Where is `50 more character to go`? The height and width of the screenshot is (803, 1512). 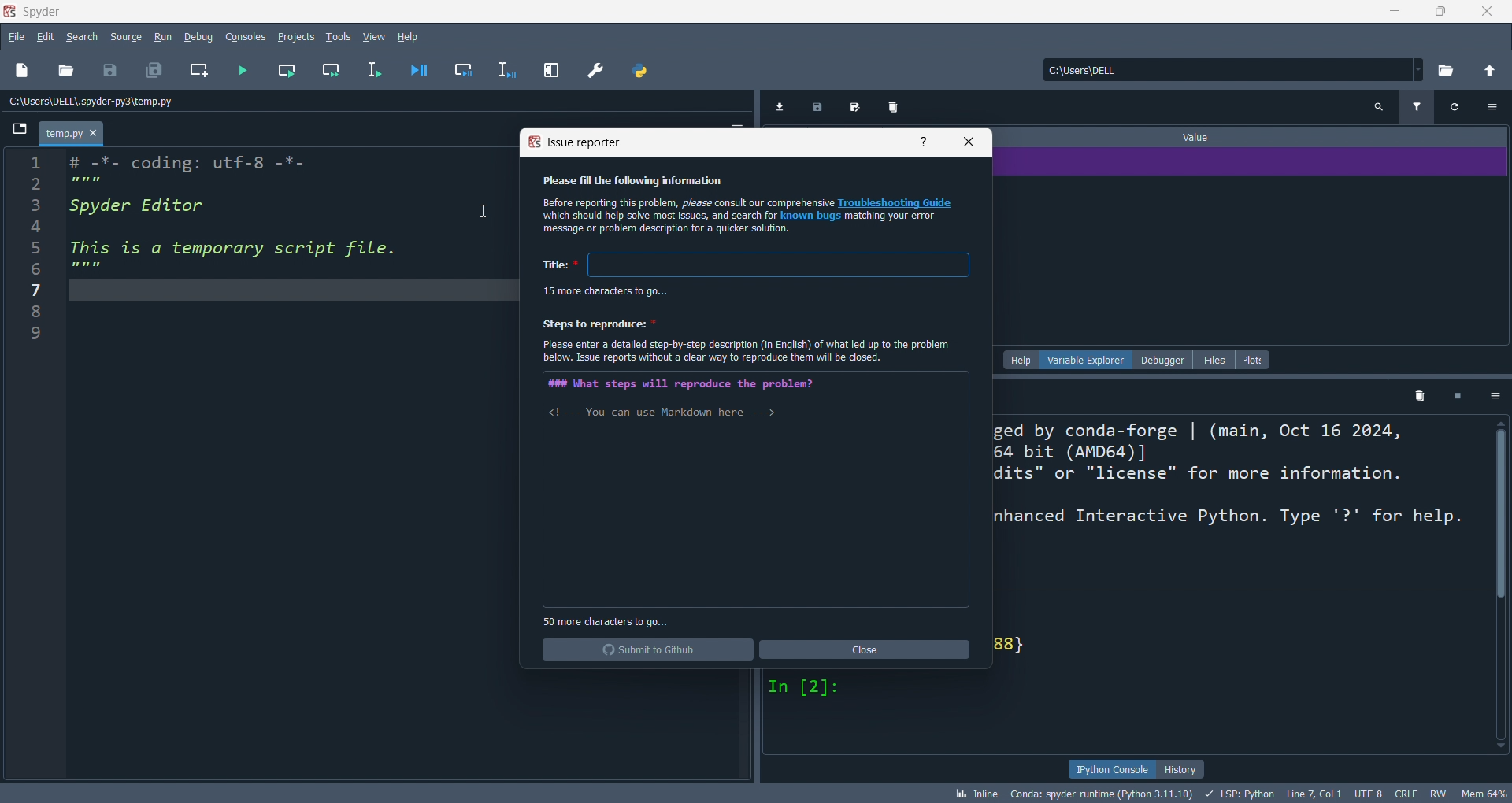
50 more character to go is located at coordinates (605, 620).